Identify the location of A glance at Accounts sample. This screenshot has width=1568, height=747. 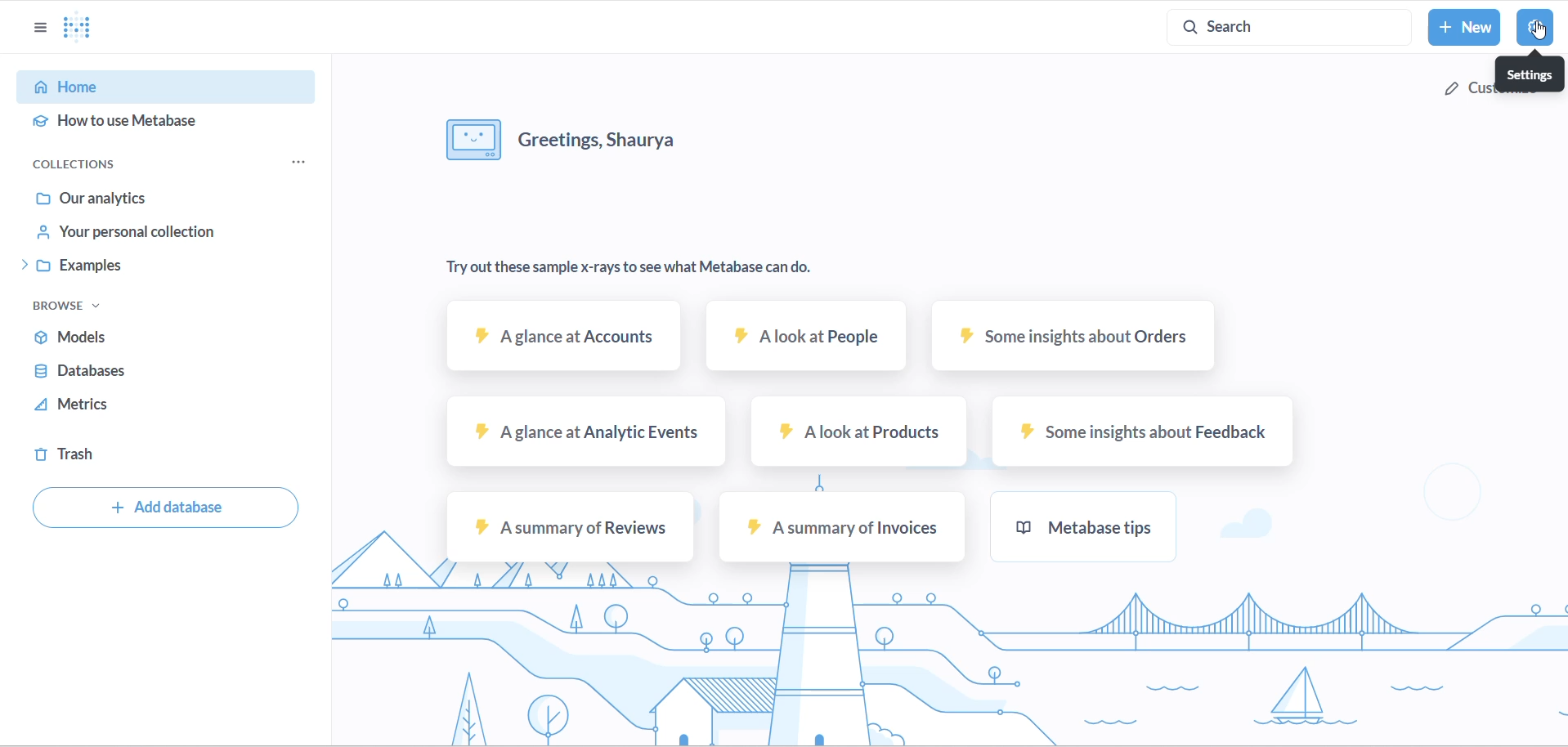
(566, 342).